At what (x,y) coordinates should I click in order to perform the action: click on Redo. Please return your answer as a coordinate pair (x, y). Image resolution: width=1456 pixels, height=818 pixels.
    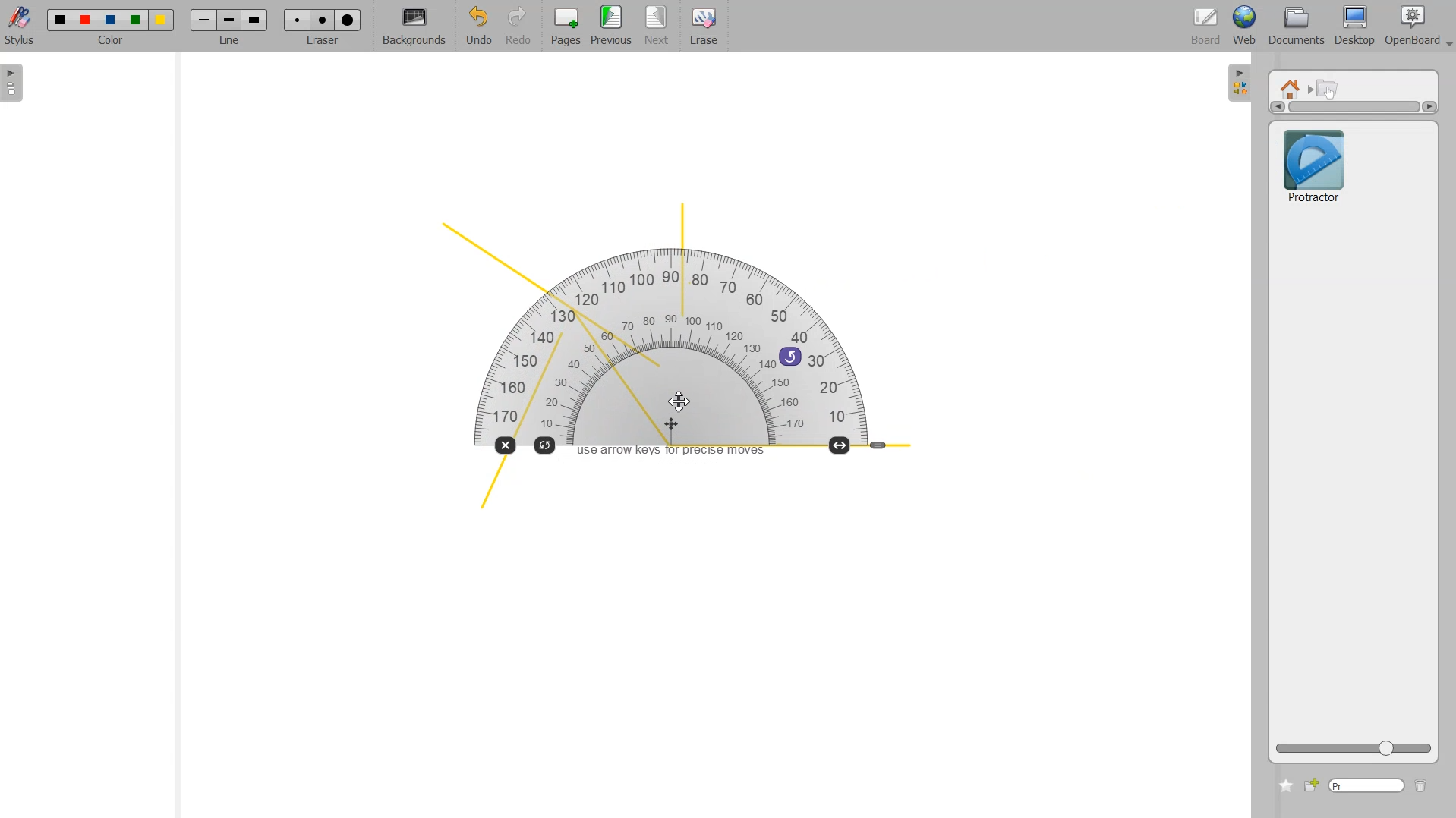
    Looking at the image, I should click on (518, 27).